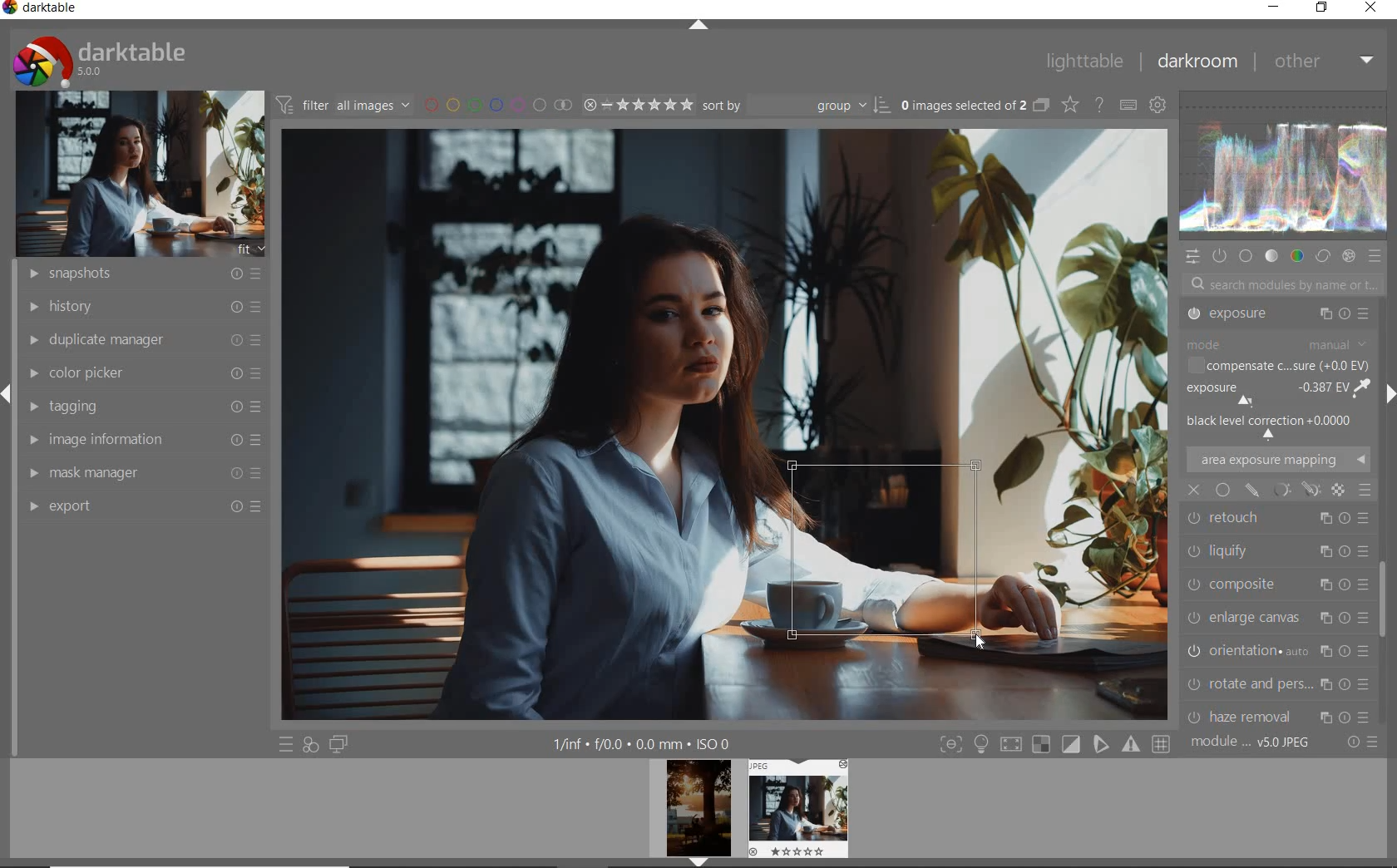 The width and height of the screenshot is (1397, 868). What do you see at coordinates (1370, 8) in the screenshot?
I see `CLOSE` at bounding box center [1370, 8].